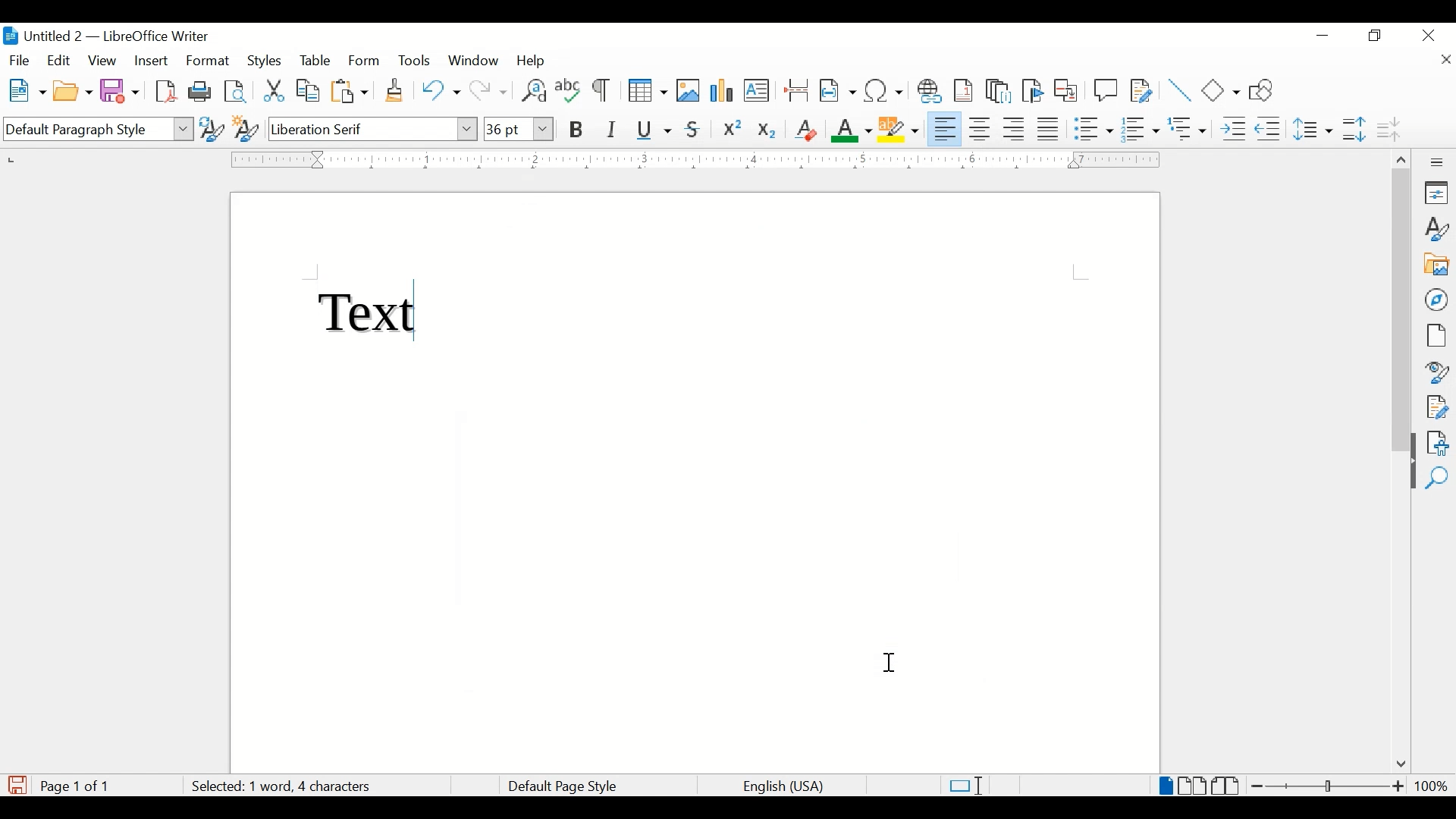  Describe the element at coordinates (1081, 272) in the screenshot. I see `guides` at that location.